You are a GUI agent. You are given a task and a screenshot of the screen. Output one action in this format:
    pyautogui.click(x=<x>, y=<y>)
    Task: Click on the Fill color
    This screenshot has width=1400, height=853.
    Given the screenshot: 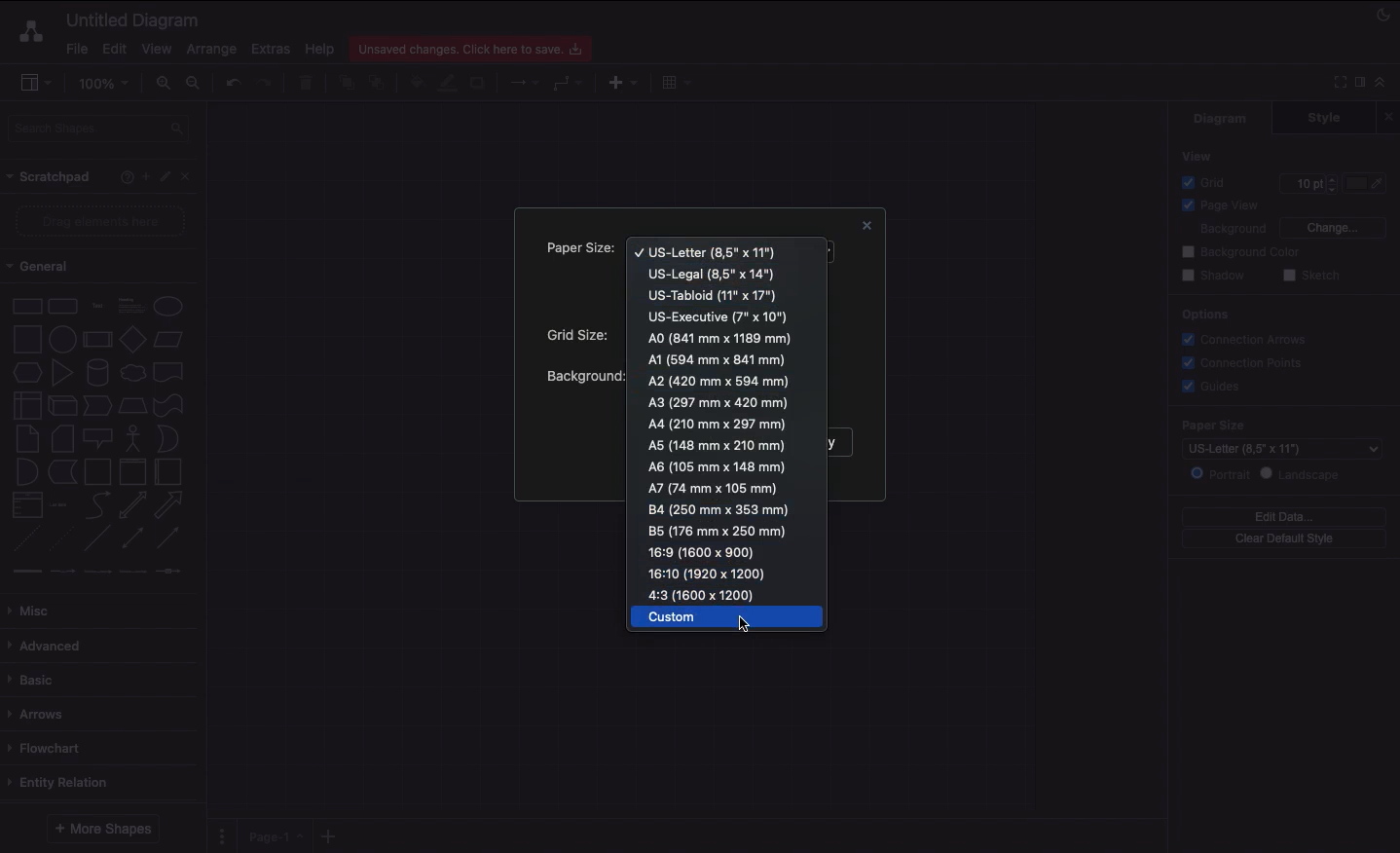 What is the action you would take?
    pyautogui.click(x=416, y=85)
    